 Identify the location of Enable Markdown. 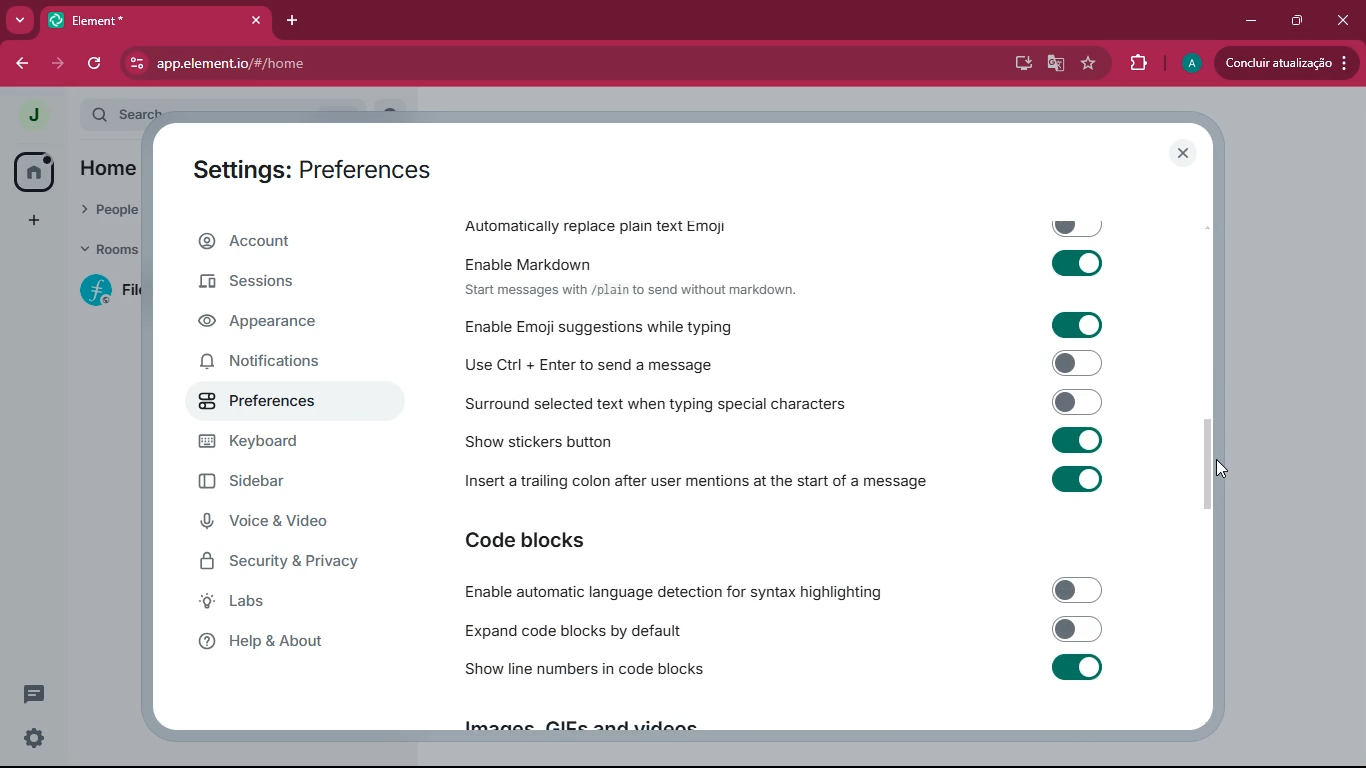
(789, 261).